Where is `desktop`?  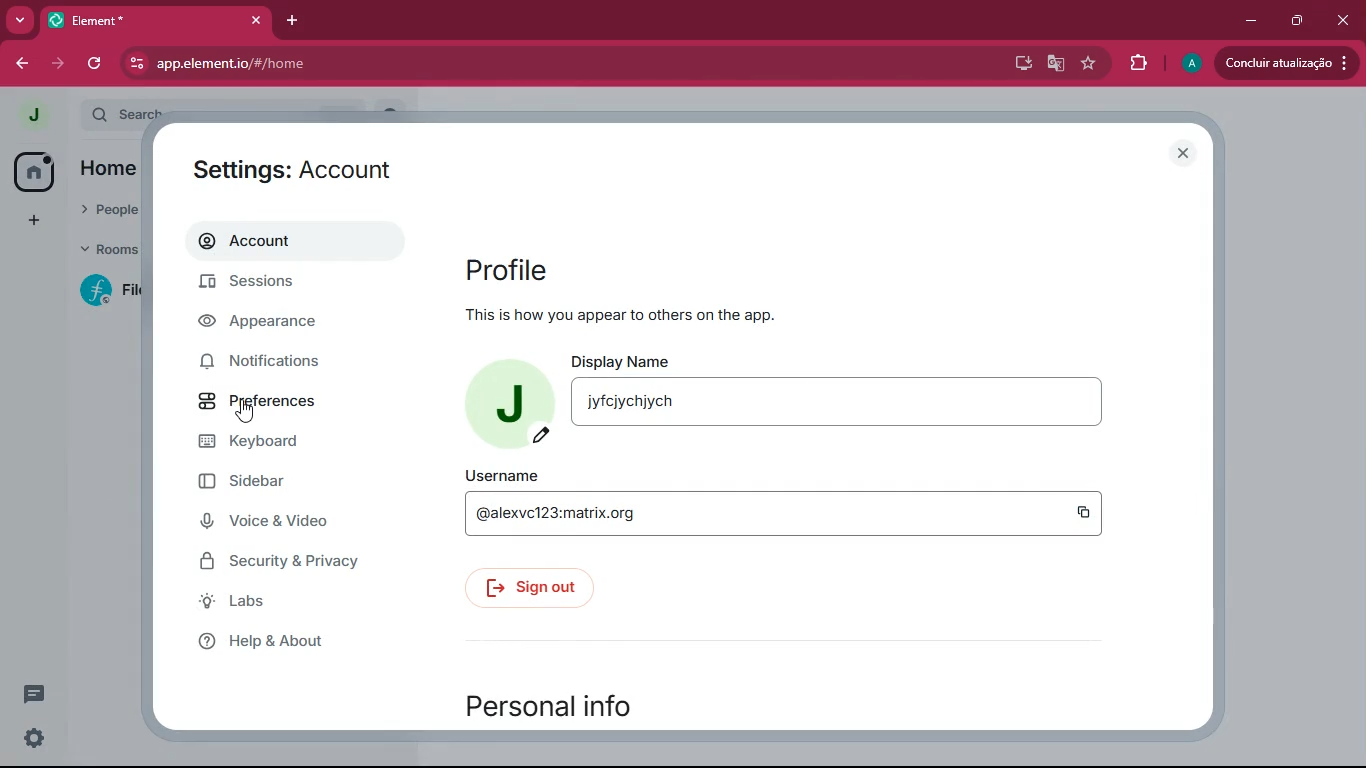 desktop is located at coordinates (1021, 63).